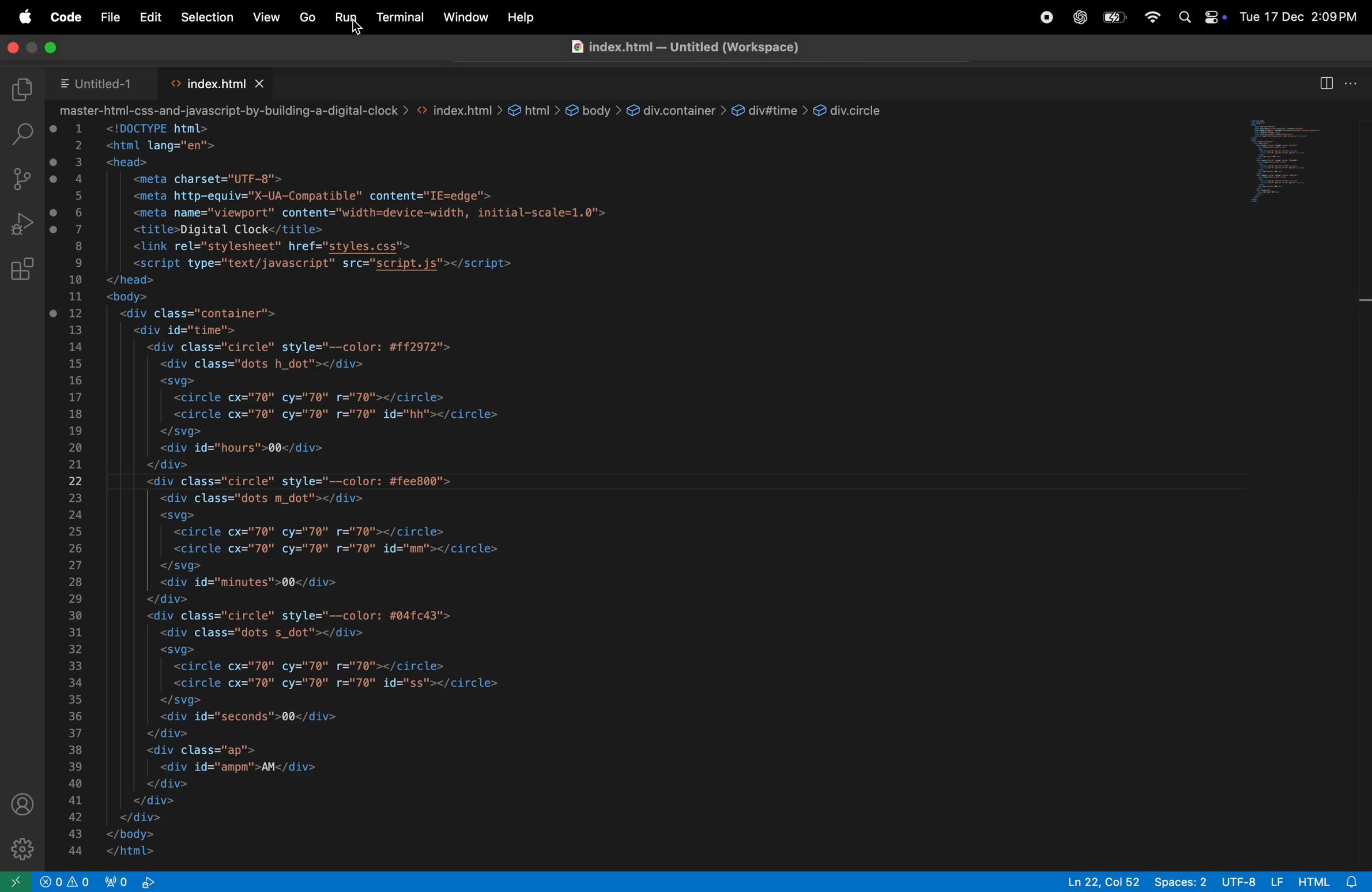 The width and height of the screenshot is (1372, 892). Describe the element at coordinates (81, 881) in the screenshot. I see `alert` at that location.